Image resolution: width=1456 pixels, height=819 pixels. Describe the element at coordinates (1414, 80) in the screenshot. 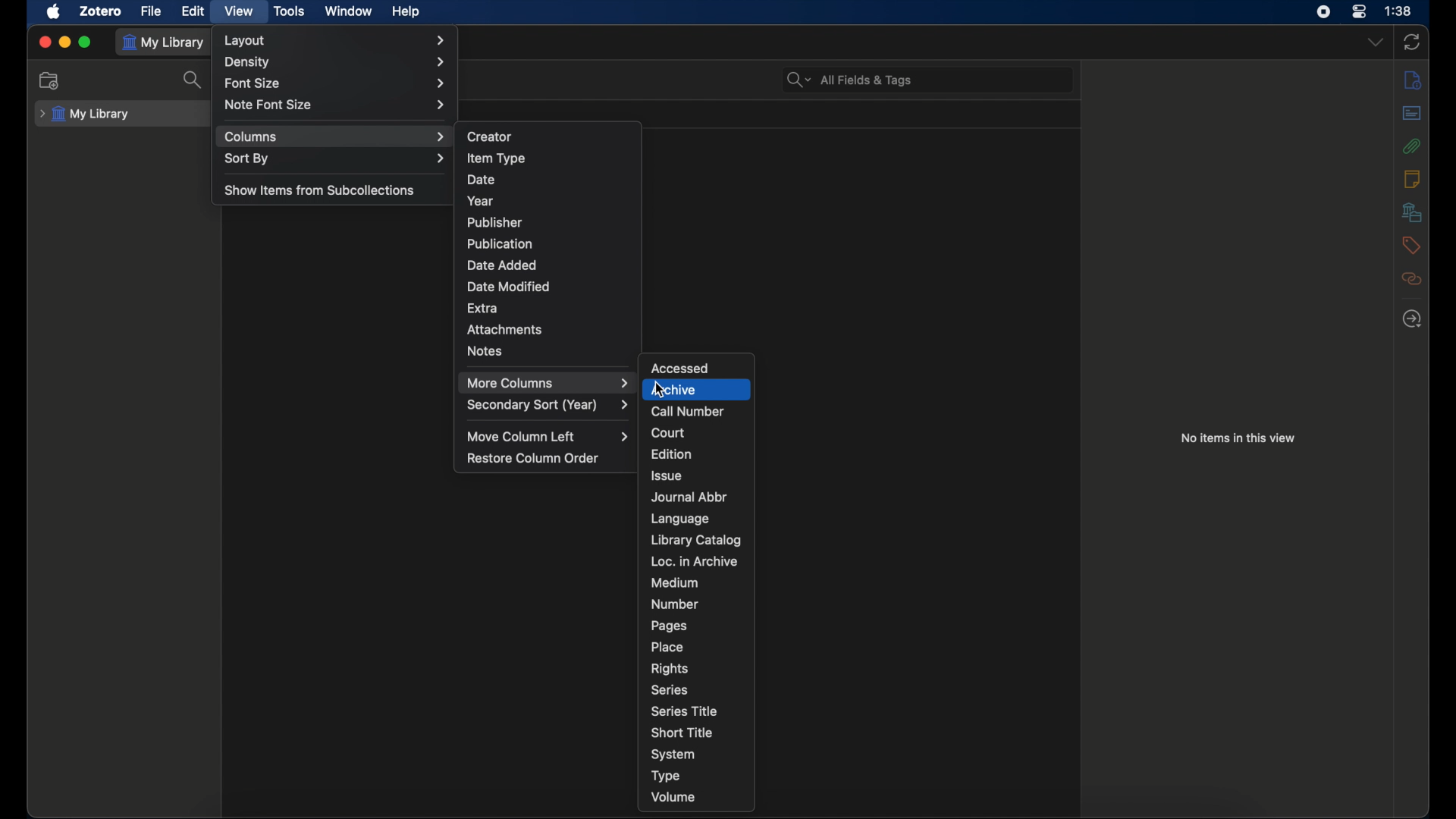

I see `info` at that location.